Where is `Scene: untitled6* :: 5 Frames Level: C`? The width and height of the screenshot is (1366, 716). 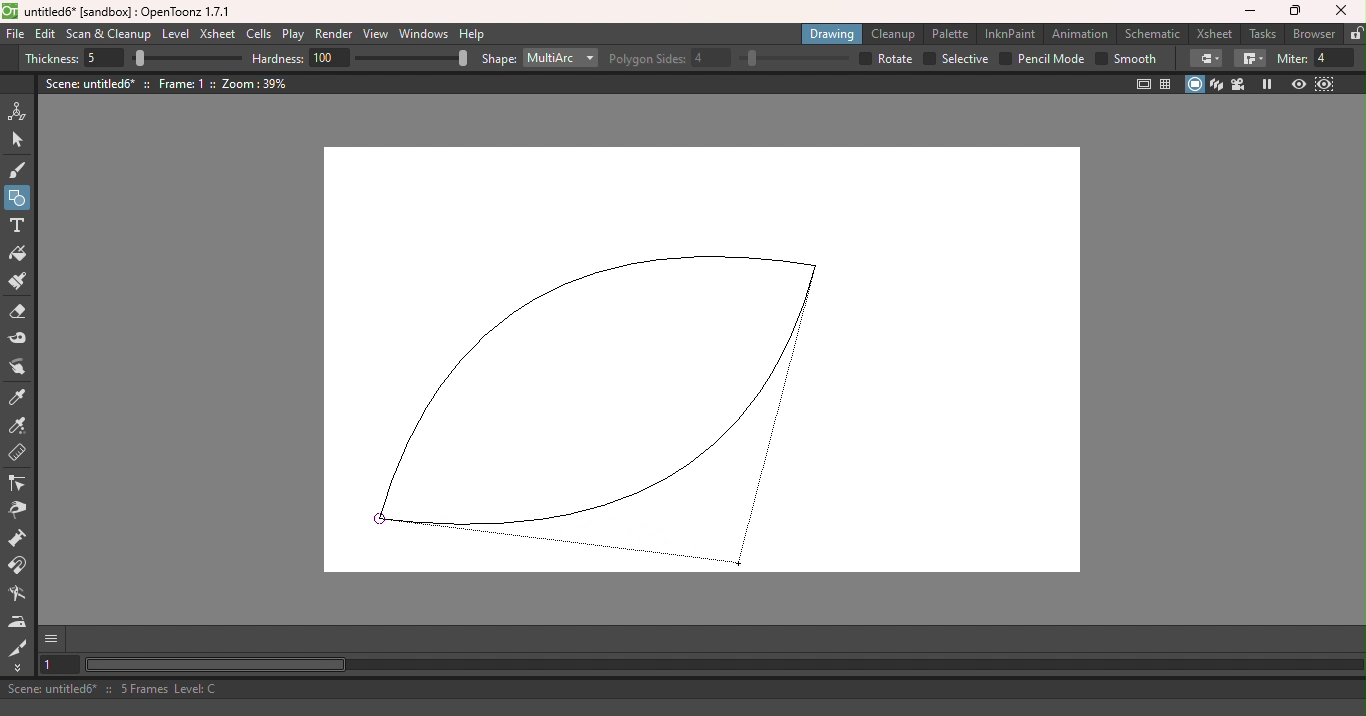
Scene: untitled6* :: 5 Frames Level: C is located at coordinates (681, 688).